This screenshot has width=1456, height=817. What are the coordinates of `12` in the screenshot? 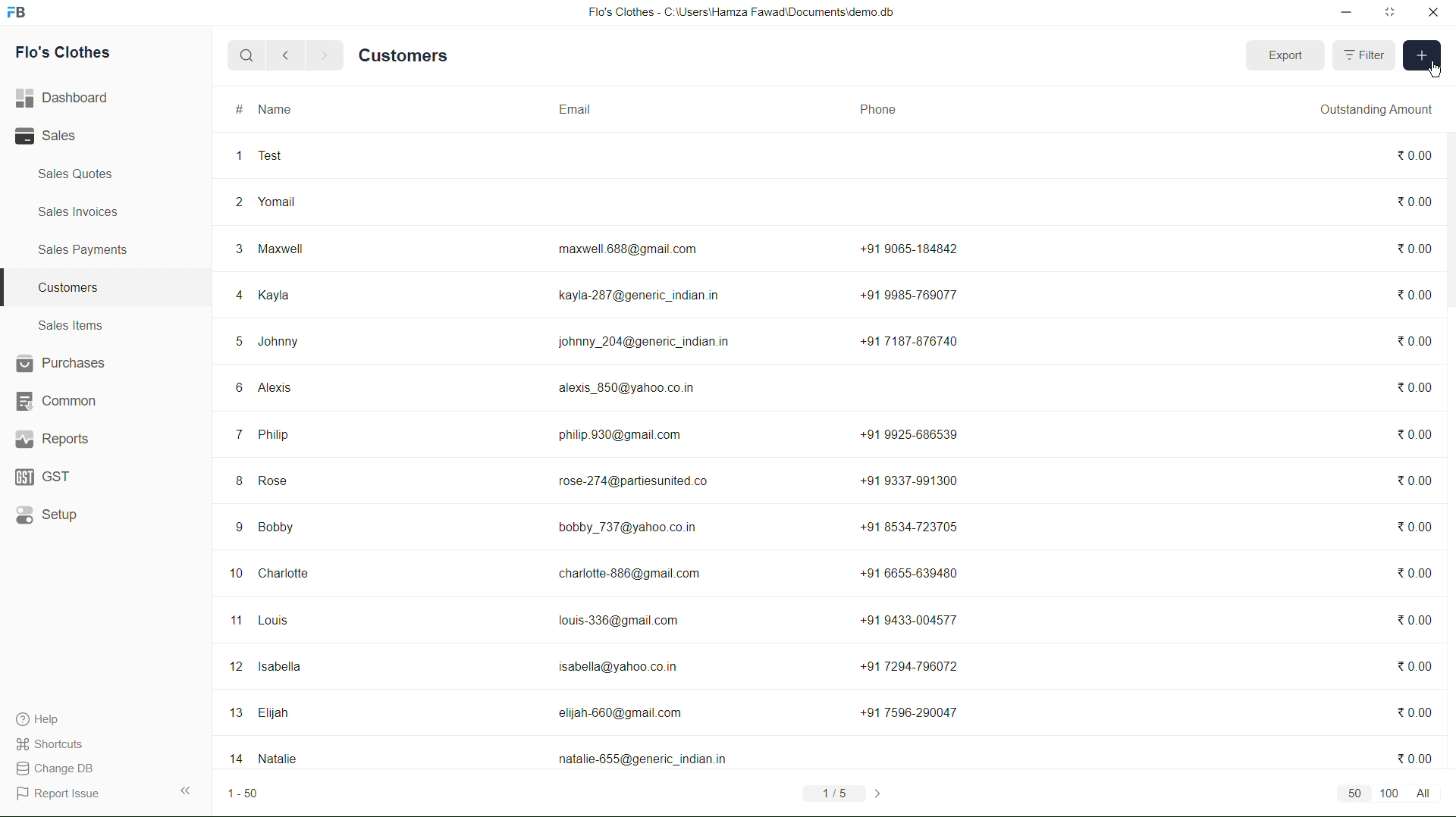 It's located at (235, 665).